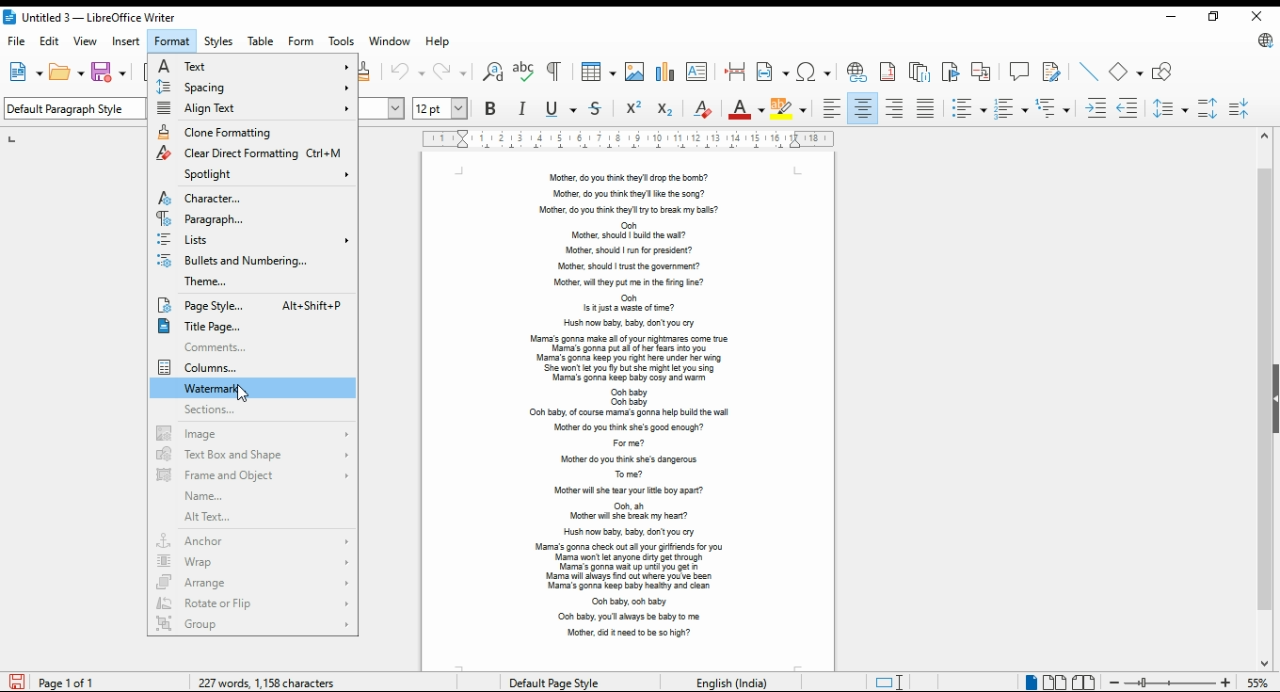 This screenshot has width=1280, height=692. I want to click on edit, so click(51, 43).